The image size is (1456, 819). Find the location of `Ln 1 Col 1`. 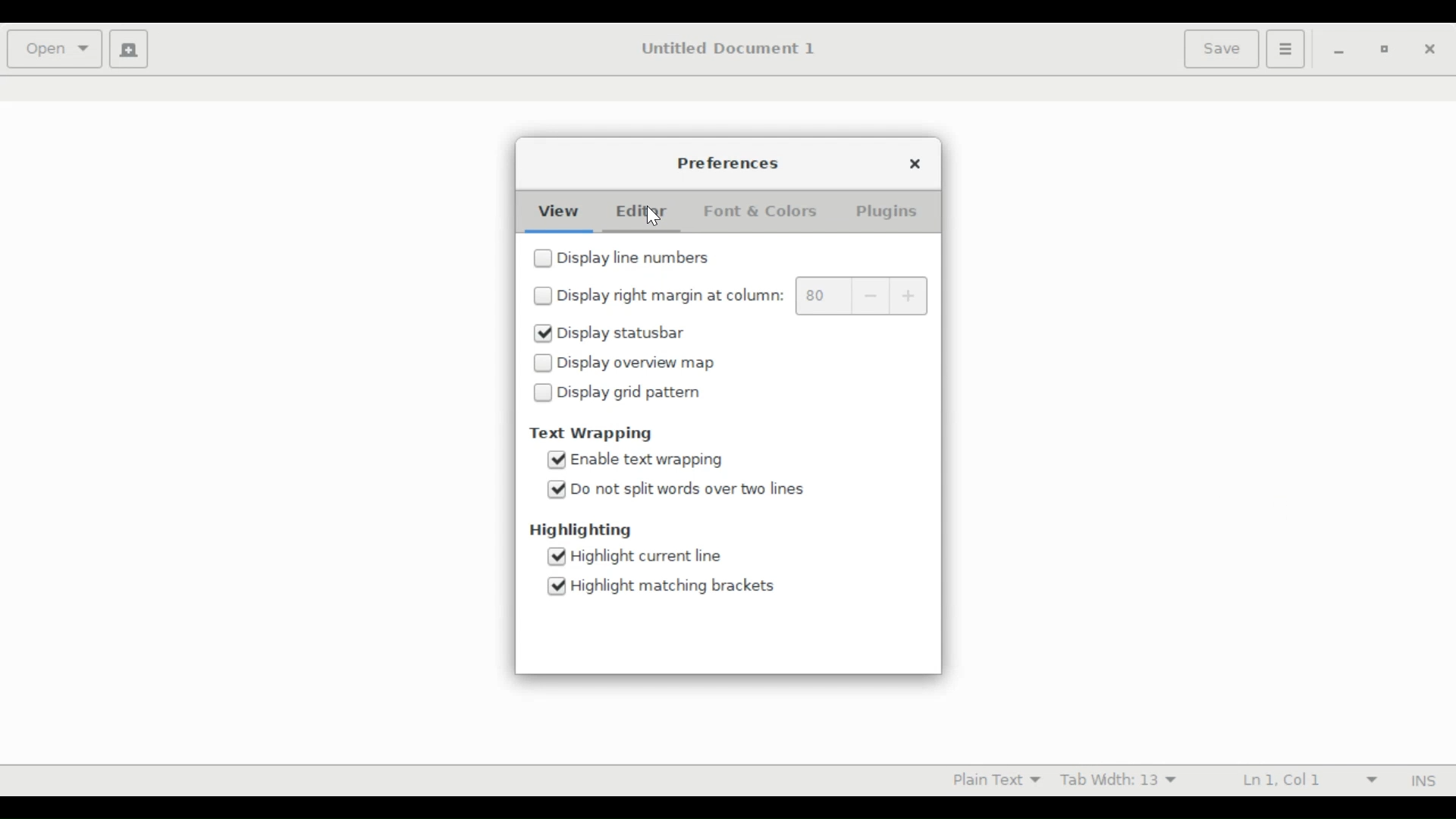

Ln 1 Col 1 is located at coordinates (1308, 781).